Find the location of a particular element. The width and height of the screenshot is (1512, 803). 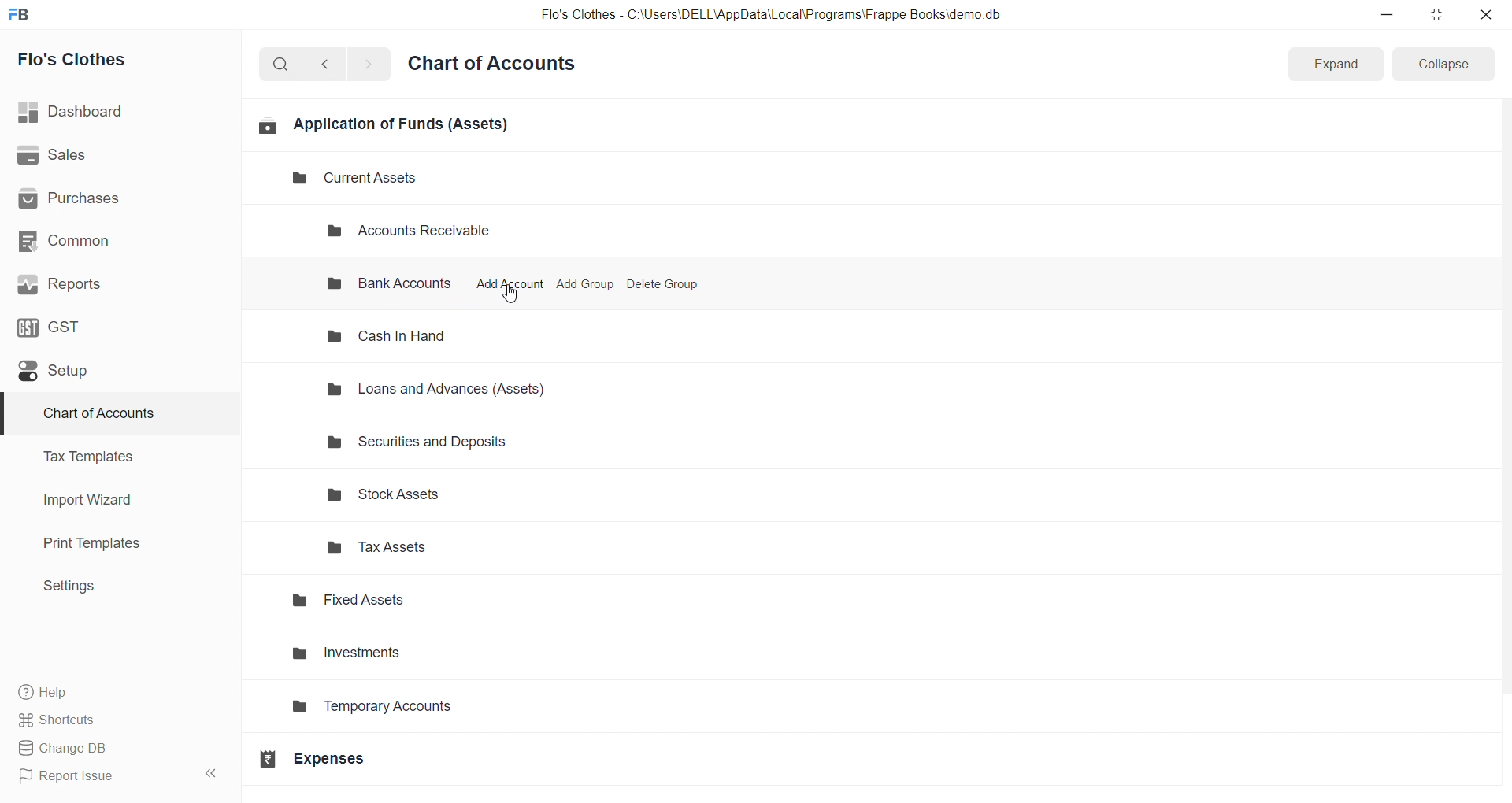

Shortcuts is located at coordinates (115, 719).